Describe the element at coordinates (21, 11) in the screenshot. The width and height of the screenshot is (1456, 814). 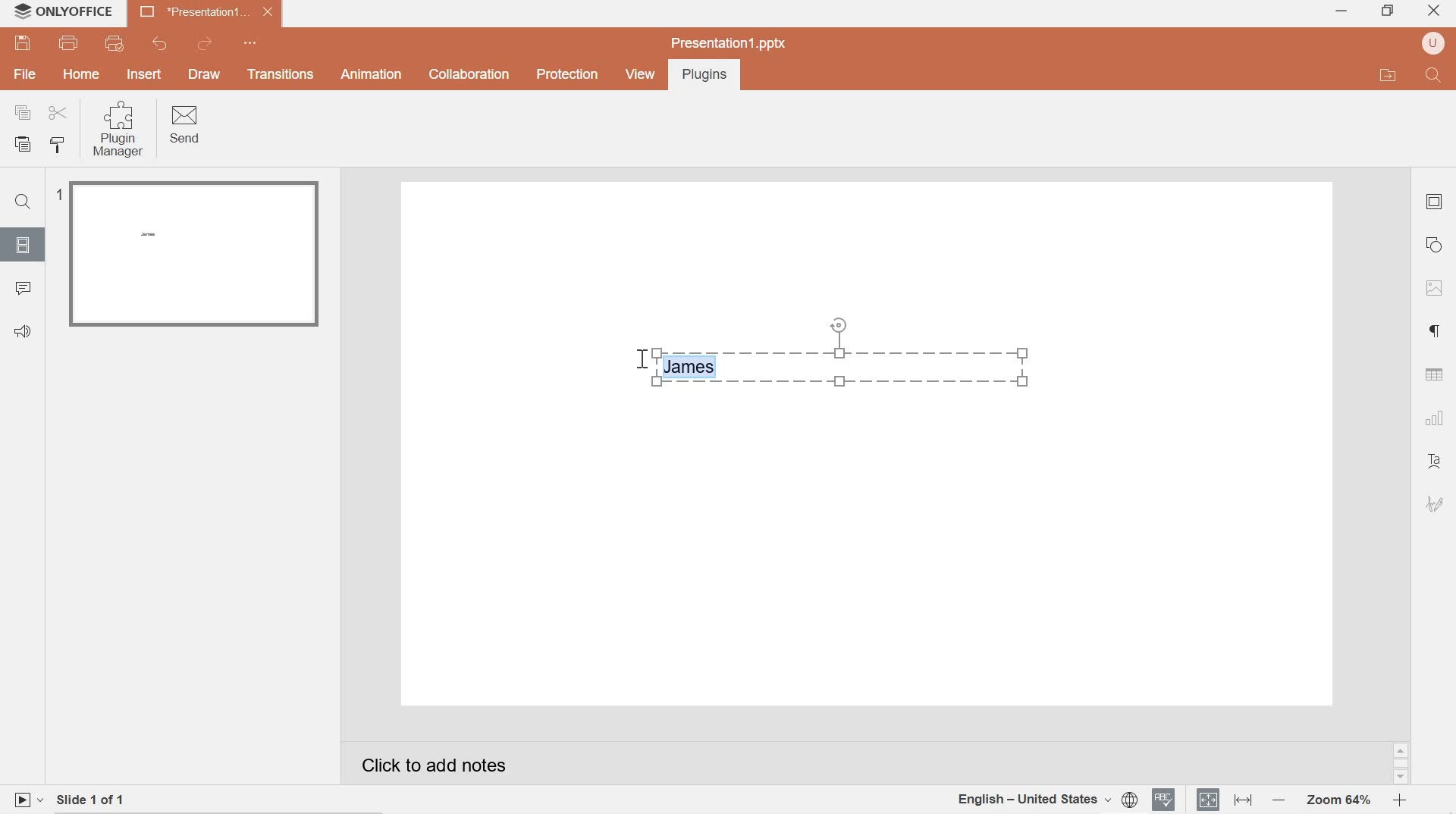
I see `system logo` at that location.